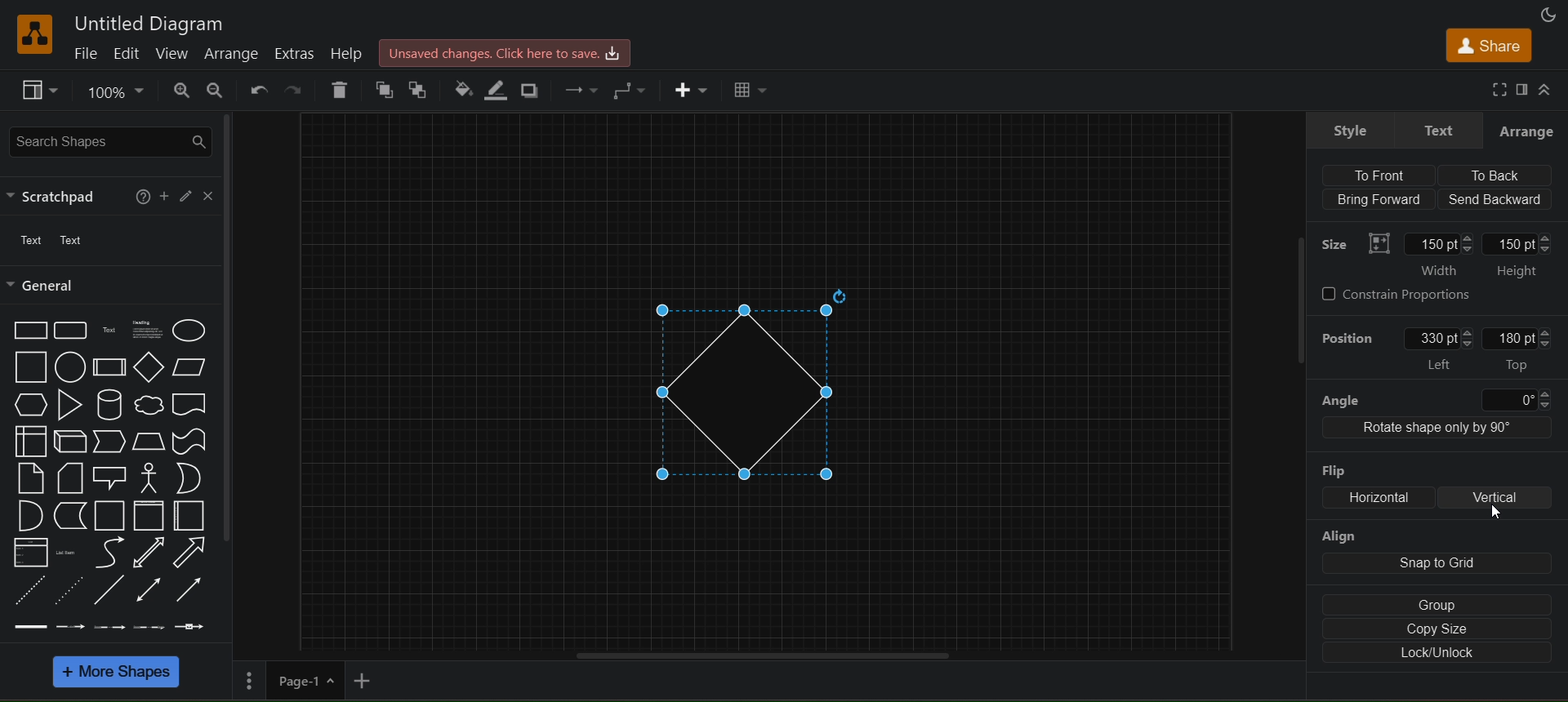 This screenshot has height=702, width=1568. Describe the element at coordinates (1441, 128) in the screenshot. I see `text` at that location.